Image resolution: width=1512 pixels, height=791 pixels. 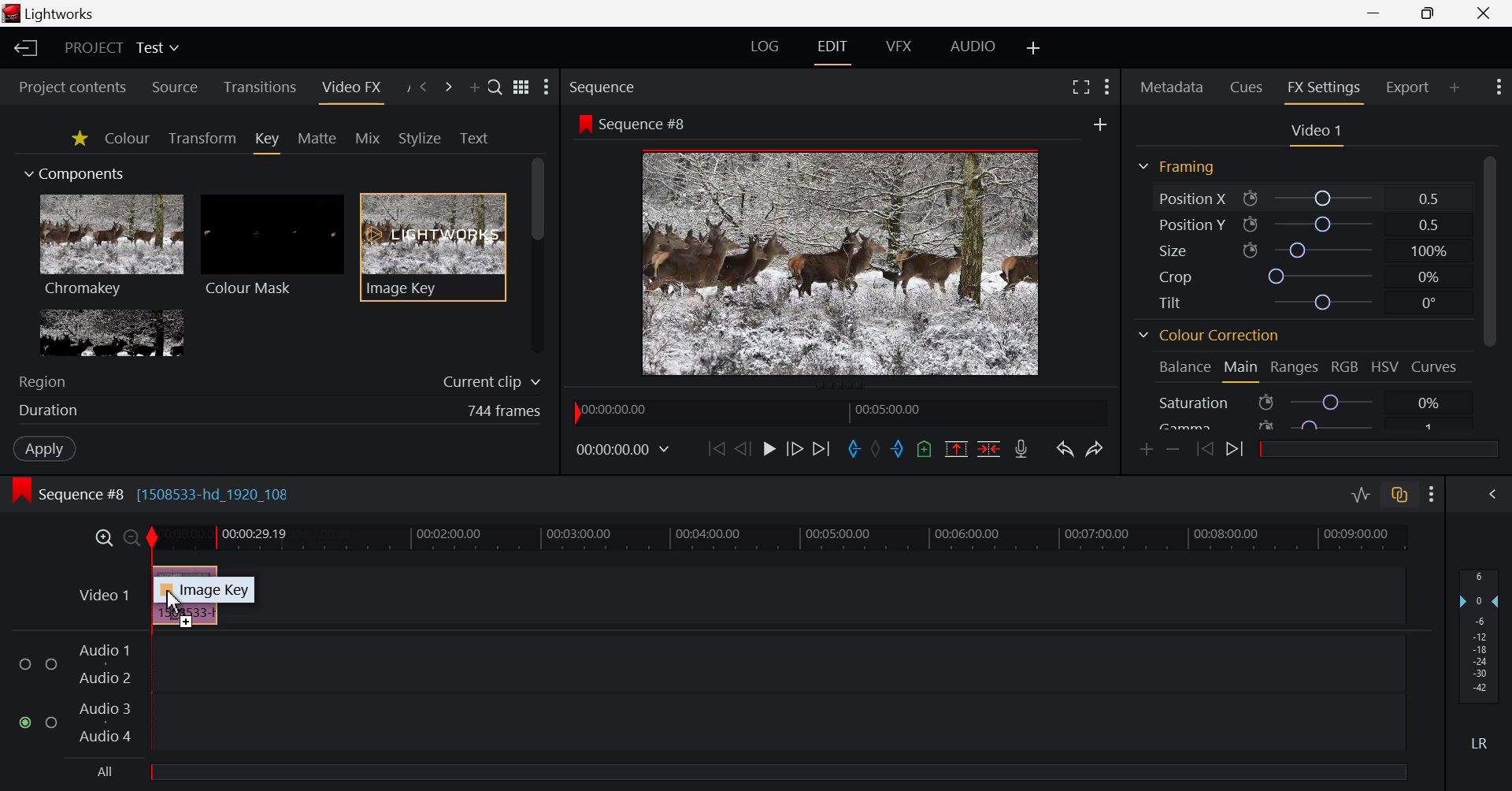 I want to click on Image Key , so click(x=220, y=589).